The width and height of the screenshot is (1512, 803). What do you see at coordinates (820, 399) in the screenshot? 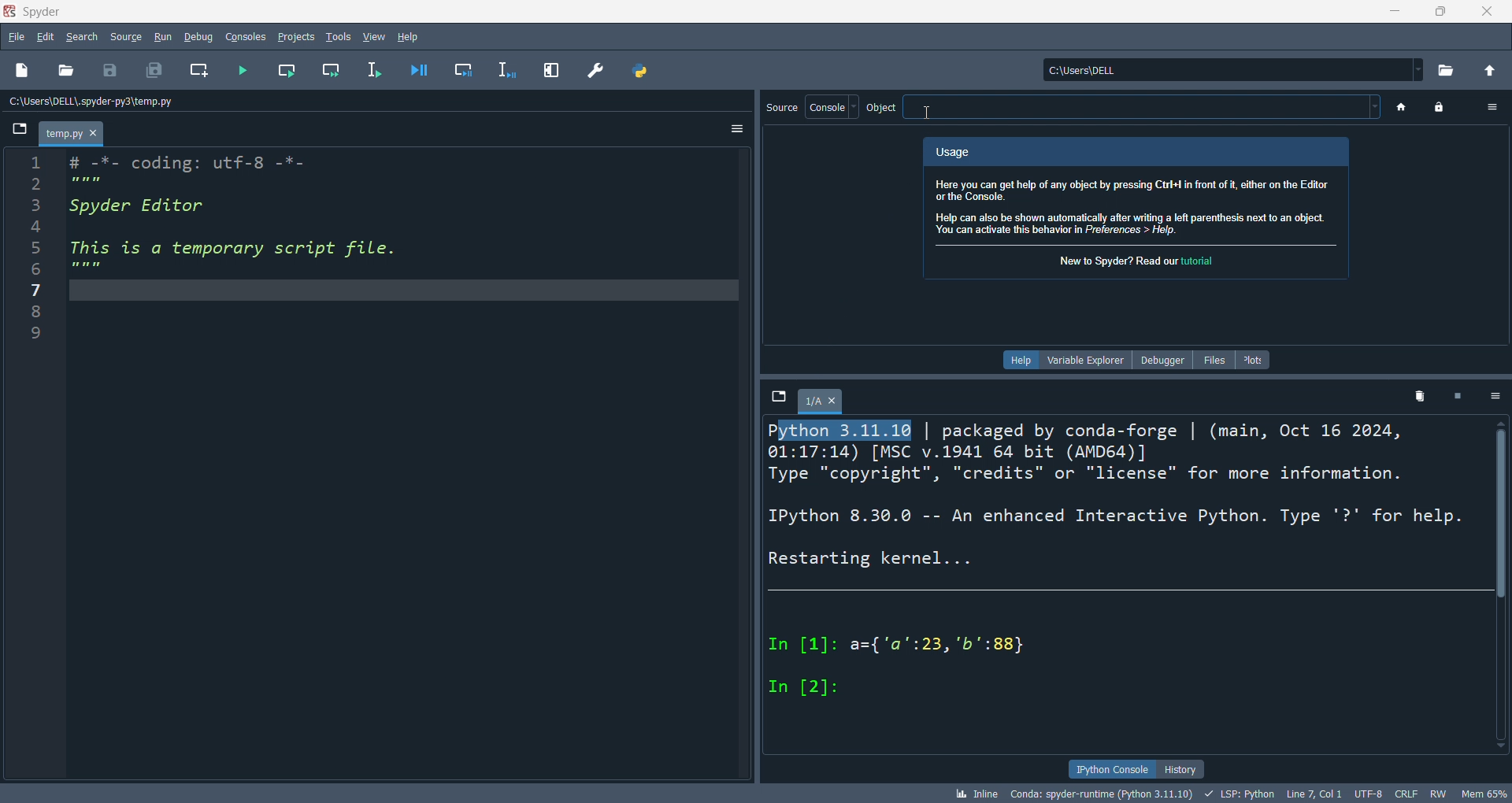
I see `1/A tab` at bounding box center [820, 399].